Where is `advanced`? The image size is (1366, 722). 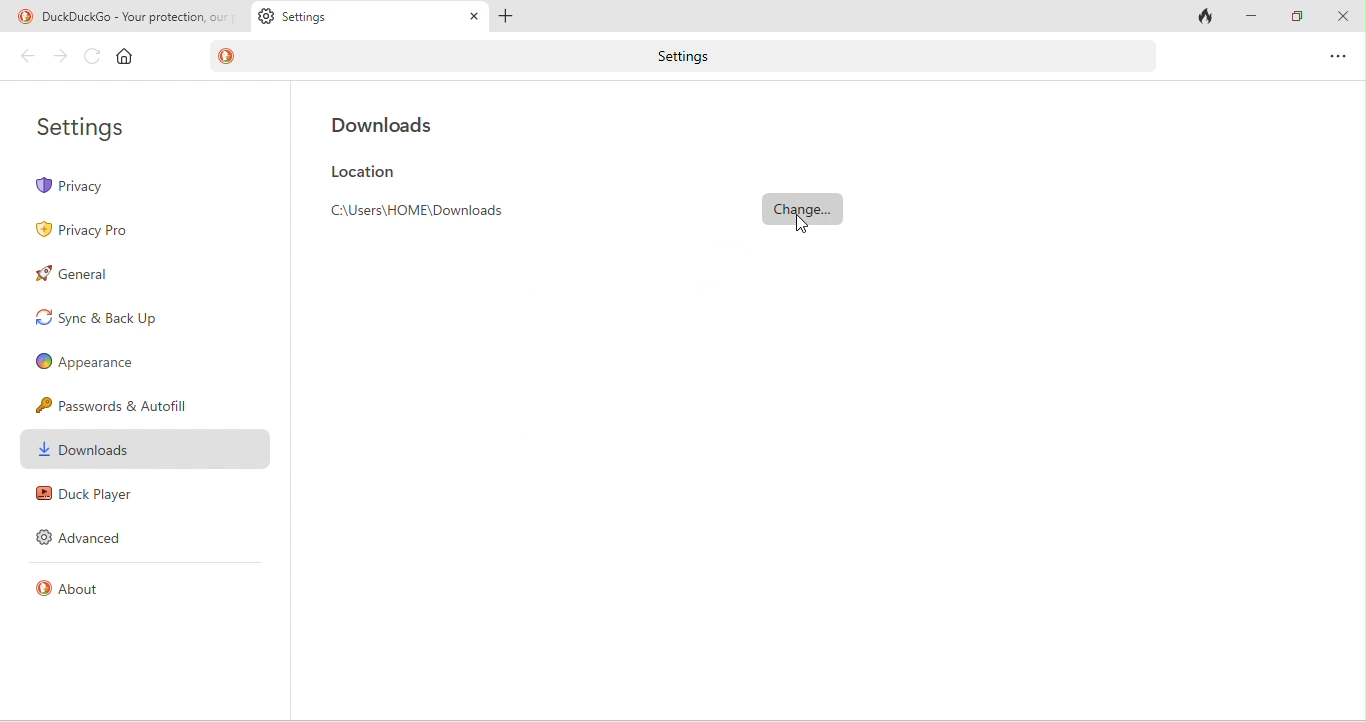
advanced is located at coordinates (82, 542).